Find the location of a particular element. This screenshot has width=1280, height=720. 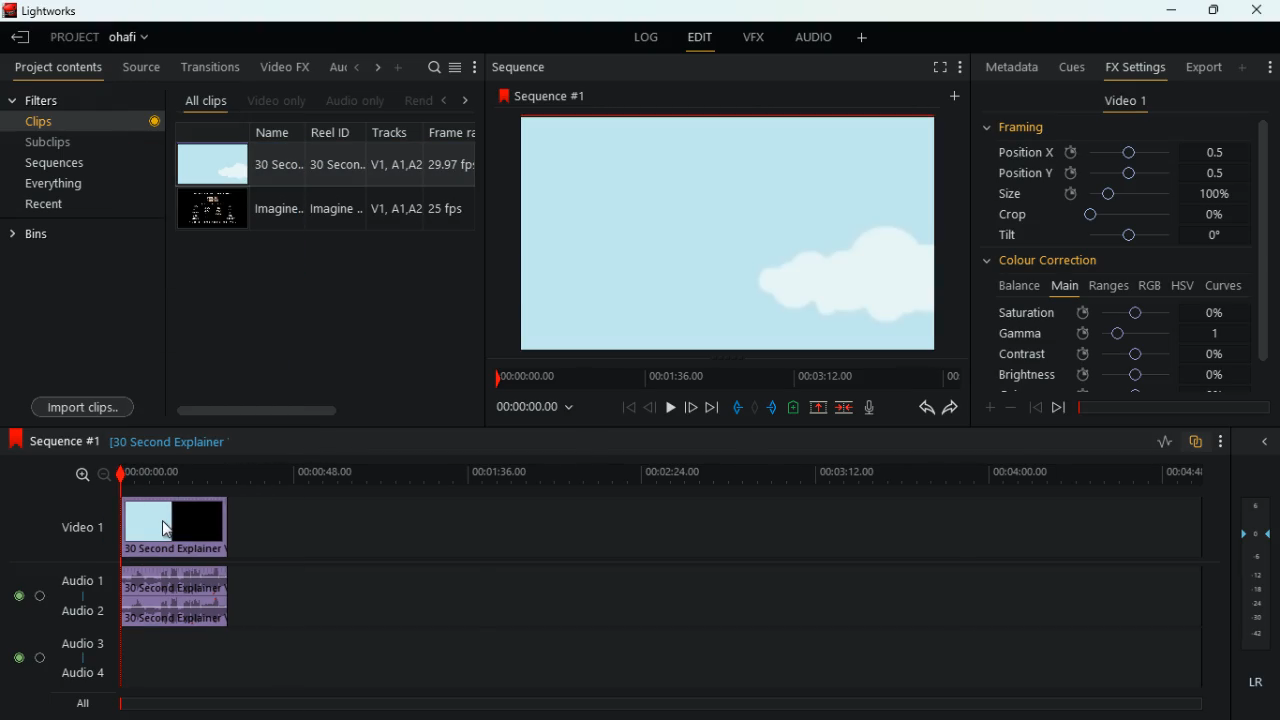

forward is located at coordinates (691, 407).